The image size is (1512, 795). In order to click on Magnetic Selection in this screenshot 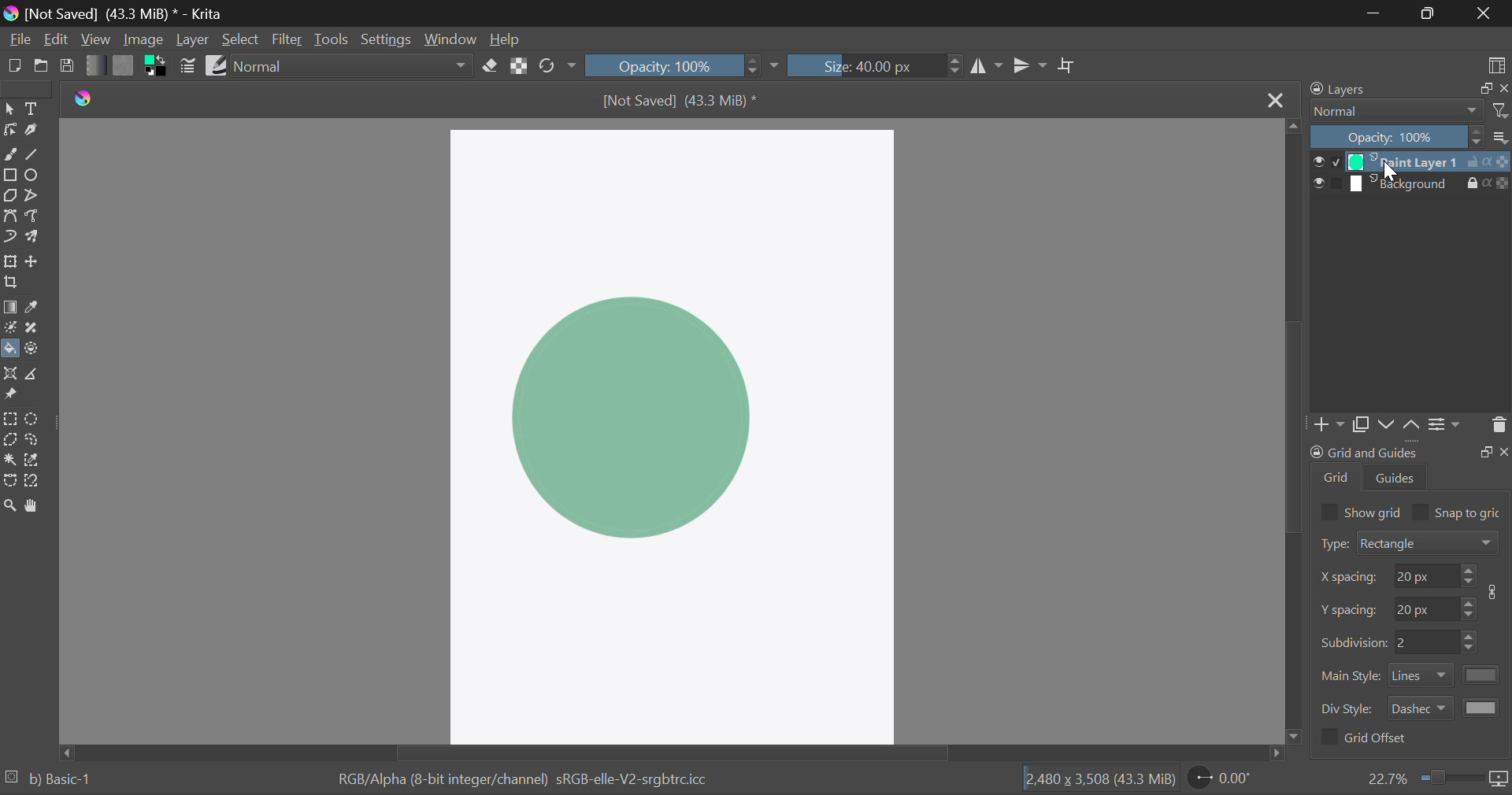, I will do `click(35, 480)`.